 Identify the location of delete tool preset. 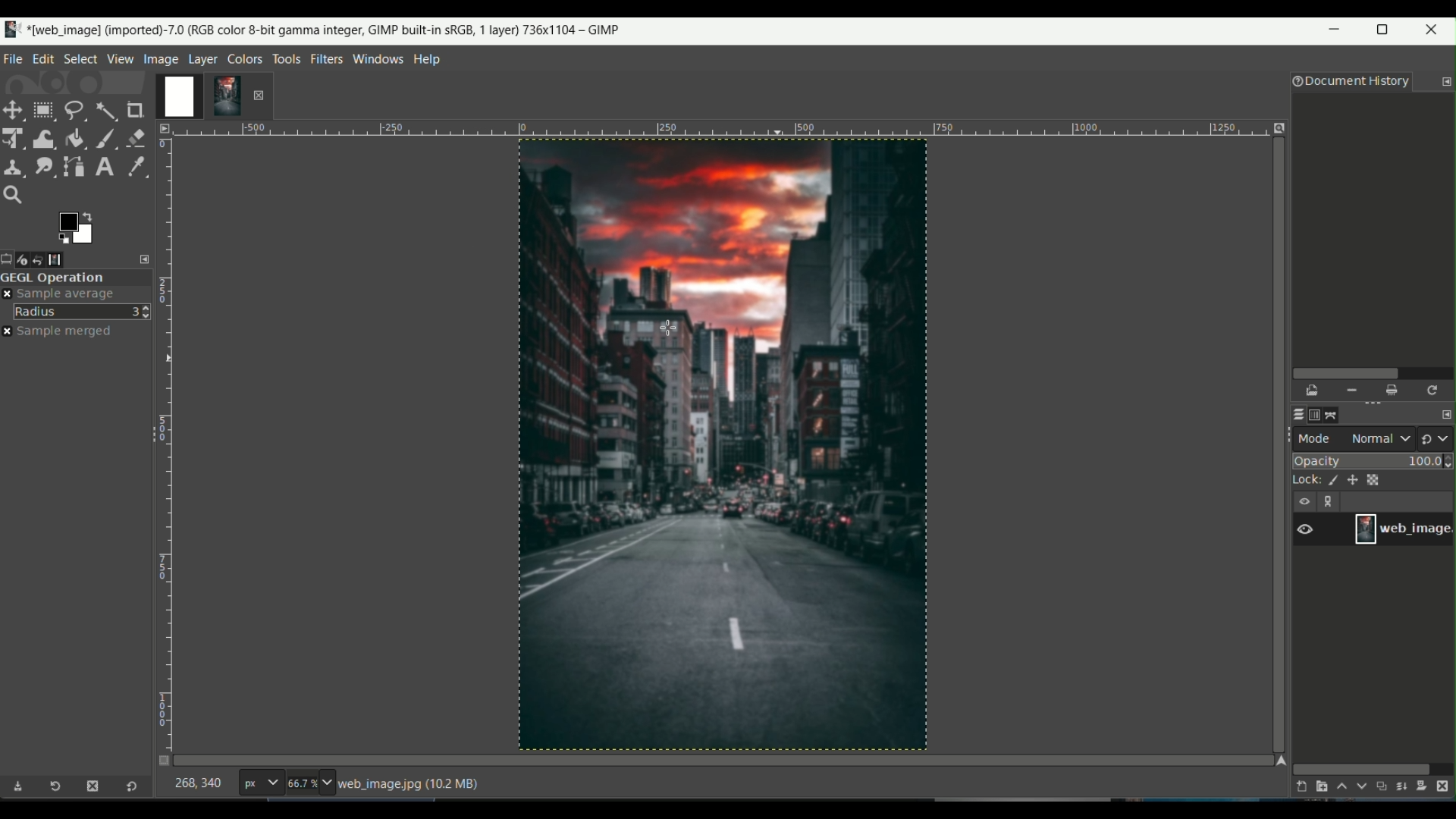
(92, 786).